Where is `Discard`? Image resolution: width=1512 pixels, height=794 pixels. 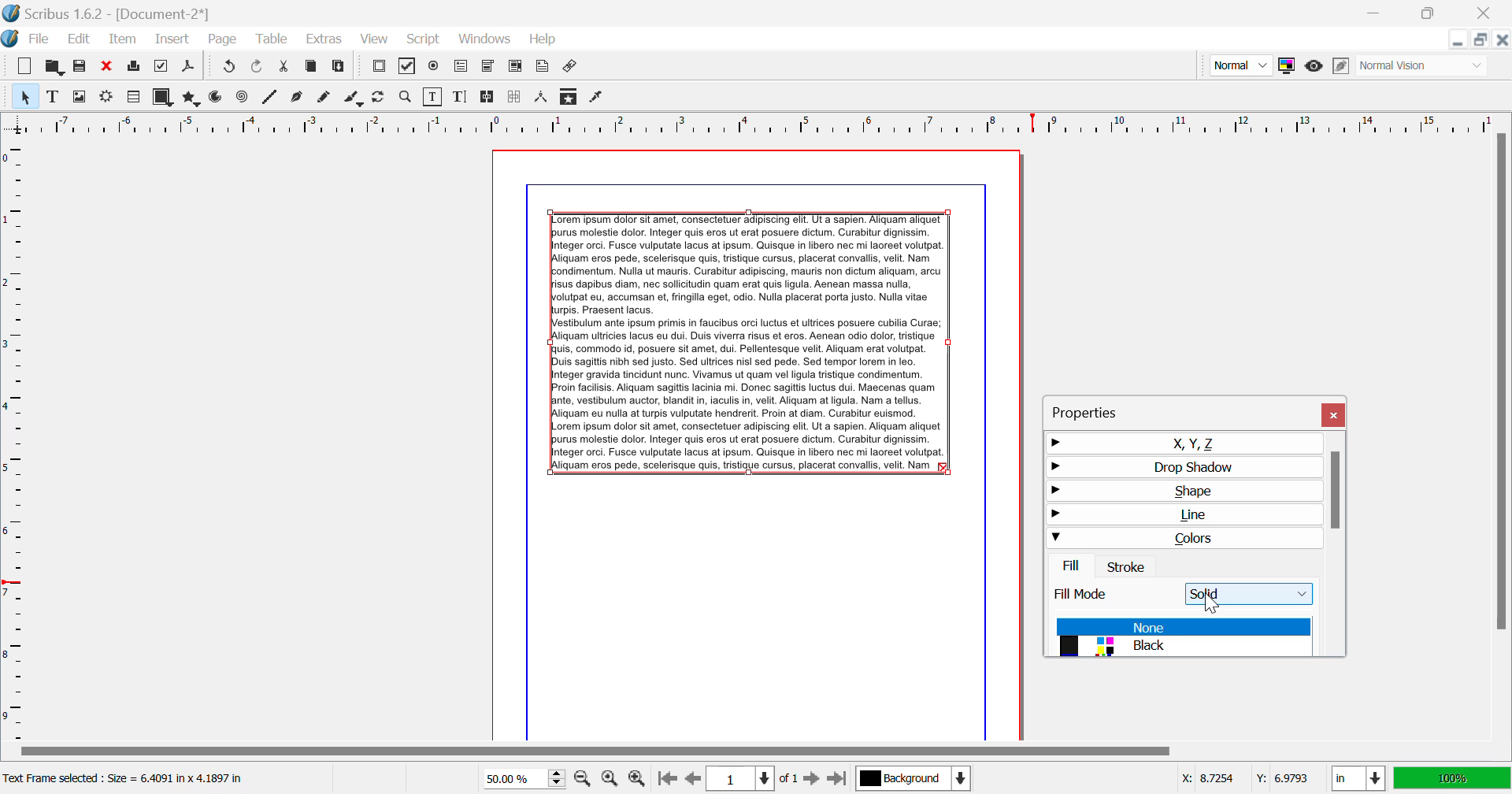 Discard is located at coordinates (107, 66).